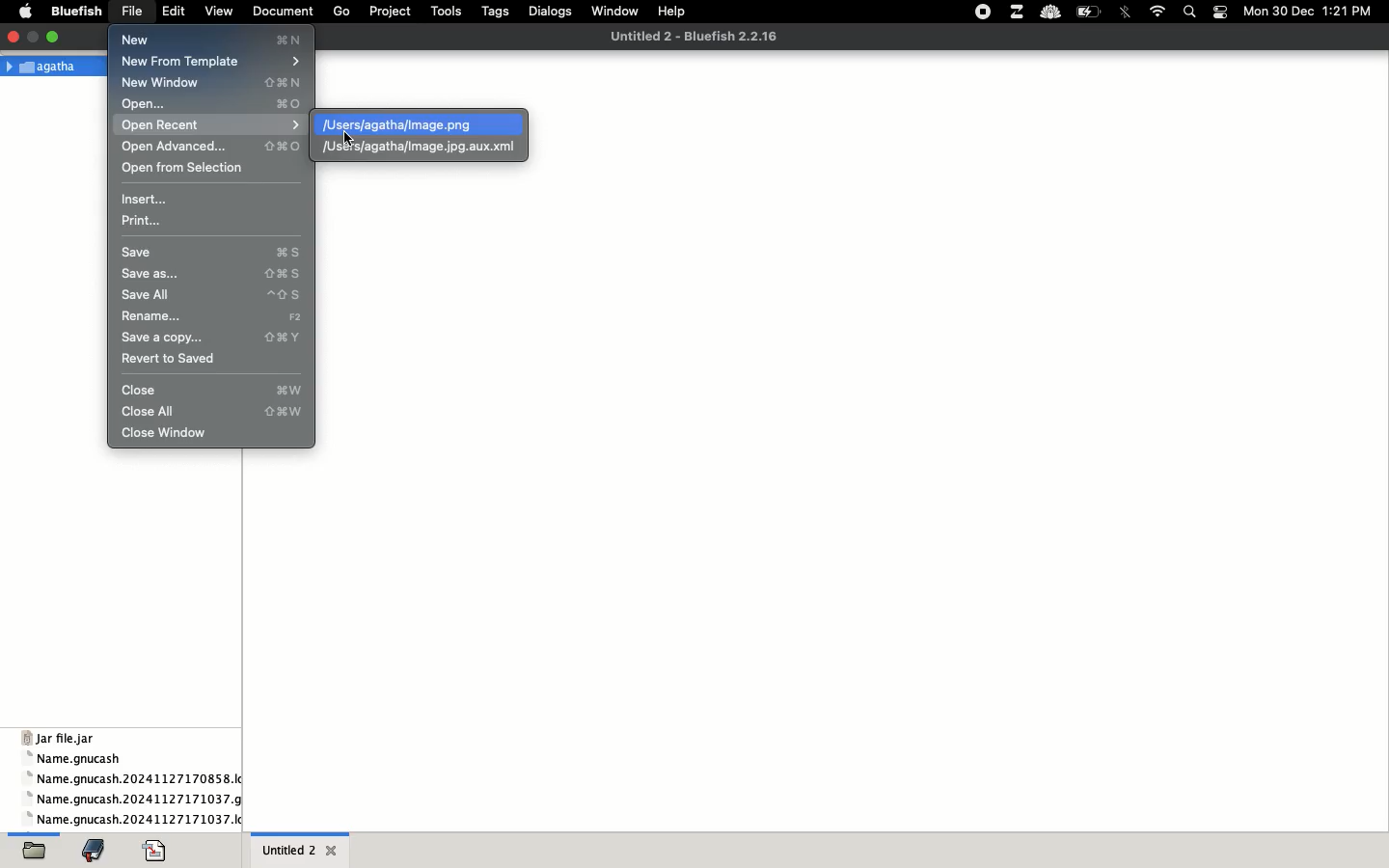  I want to click on open, so click(35, 850).